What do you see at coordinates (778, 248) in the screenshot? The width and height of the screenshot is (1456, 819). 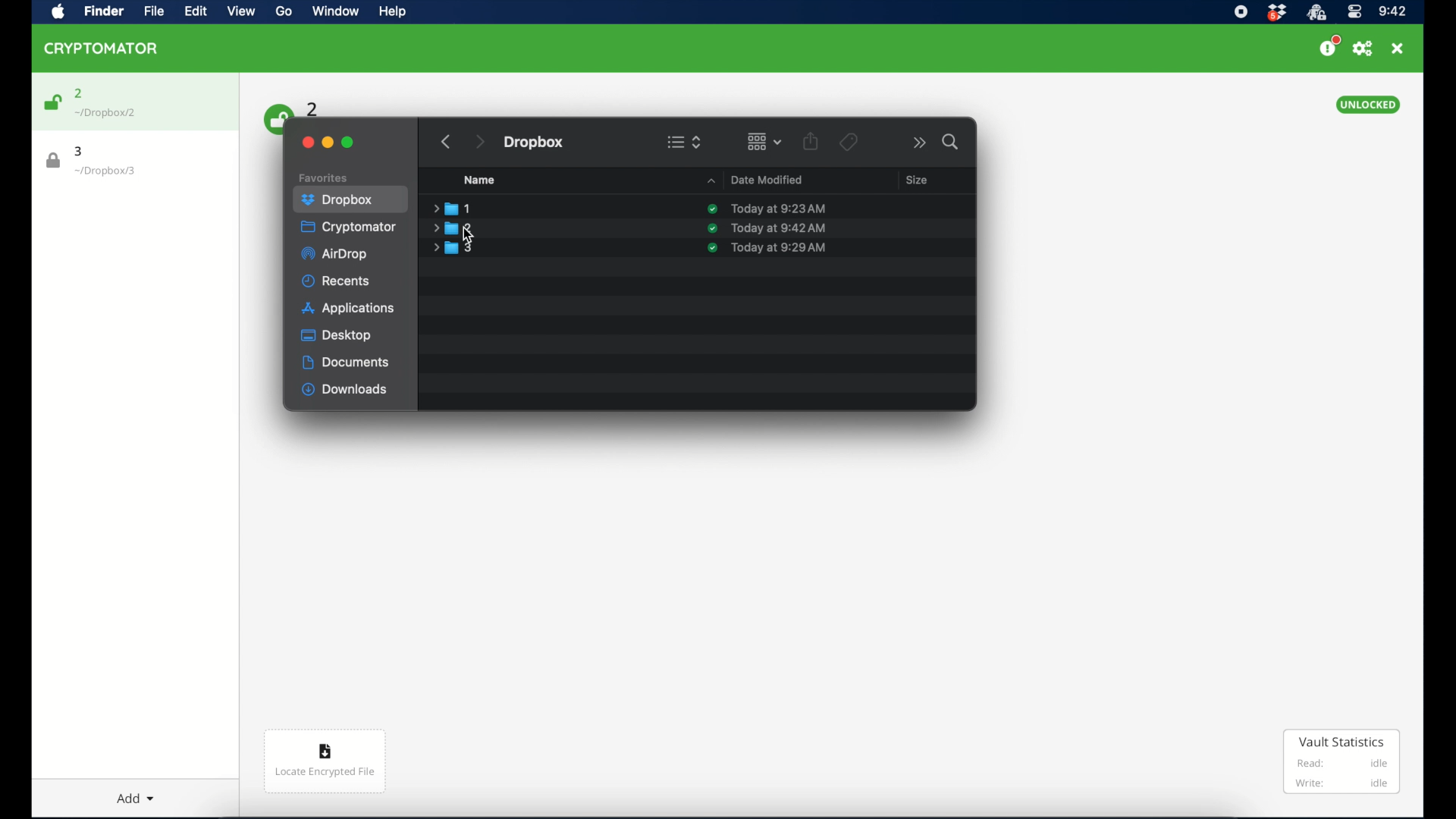 I see `date` at bounding box center [778, 248].